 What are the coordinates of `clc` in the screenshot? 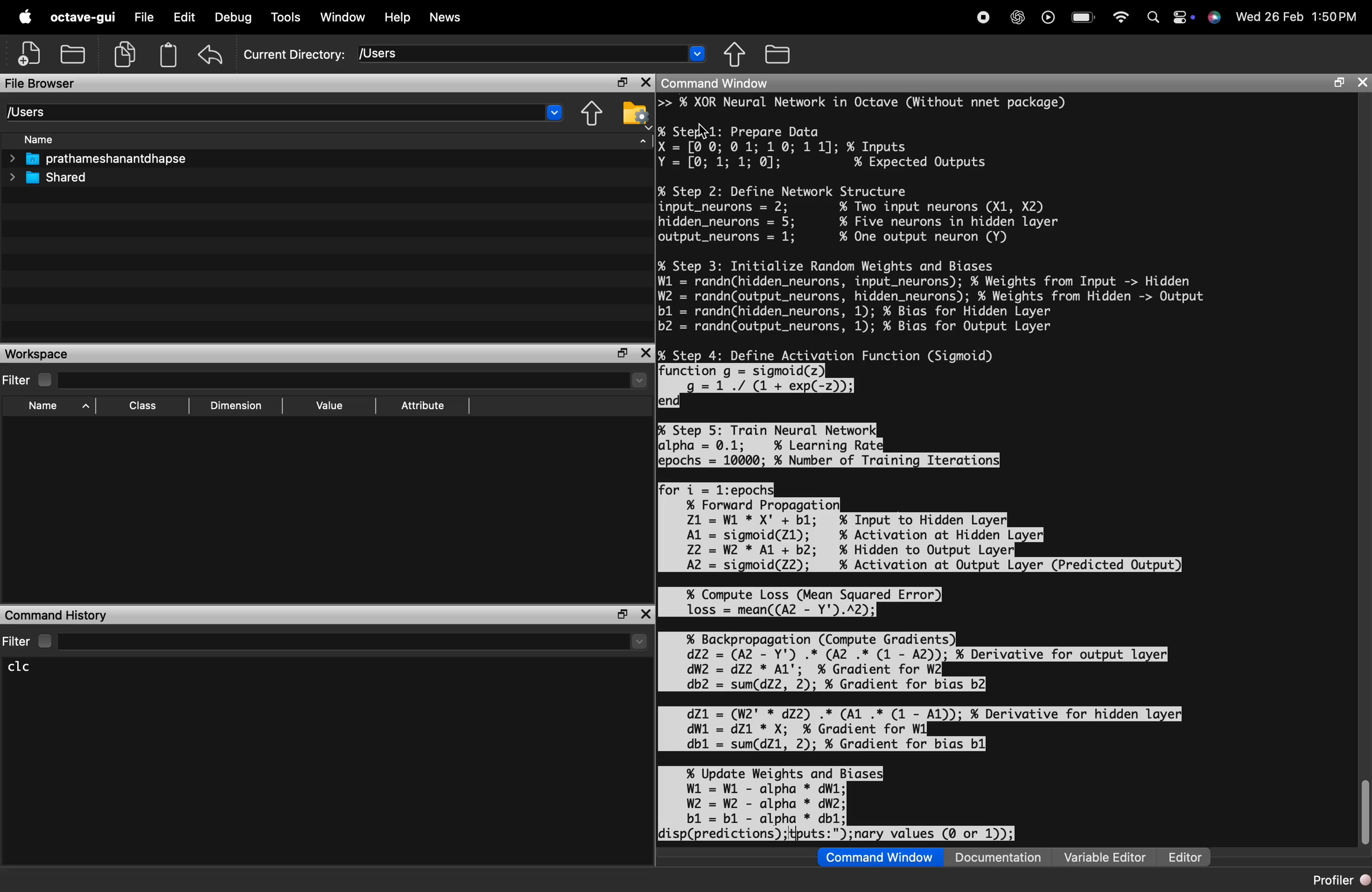 It's located at (29, 667).